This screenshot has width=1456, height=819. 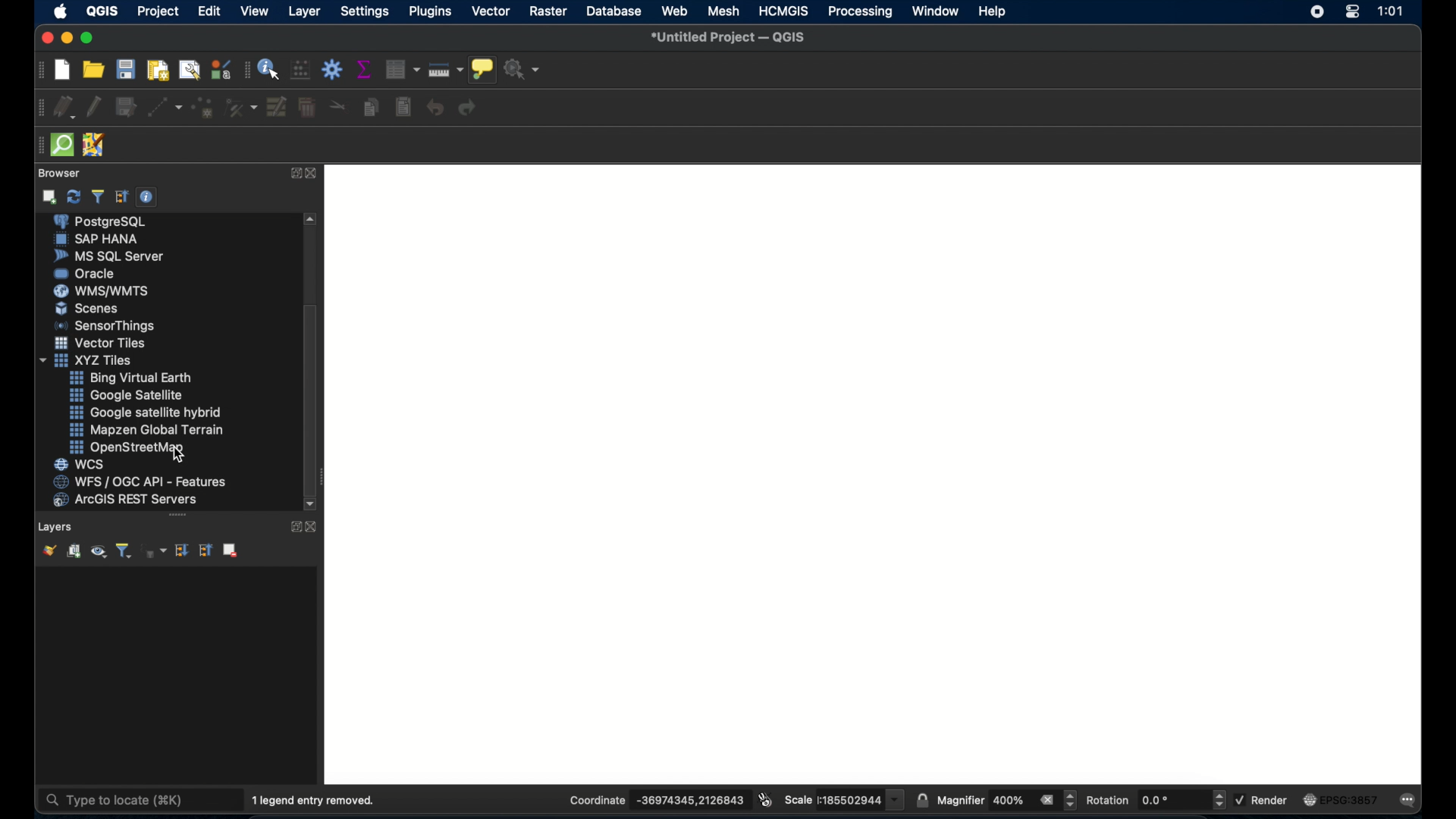 What do you see at coordinates (337, 105) in the screenshot?
I see `cut features` at bounding box center [337, 105].